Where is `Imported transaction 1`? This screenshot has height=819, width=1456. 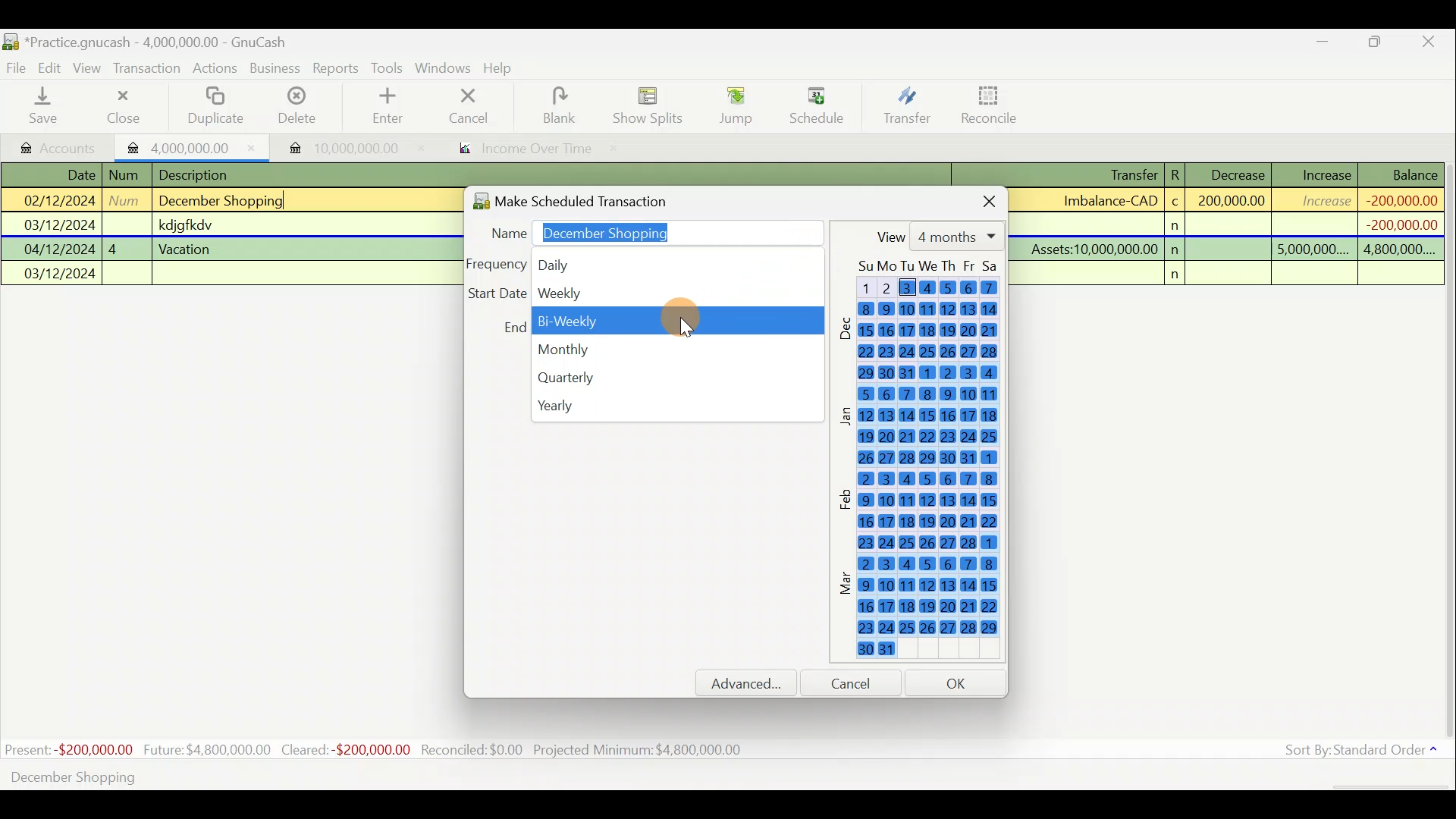
Imported transaction 1 is located at coordinates (193, 146).